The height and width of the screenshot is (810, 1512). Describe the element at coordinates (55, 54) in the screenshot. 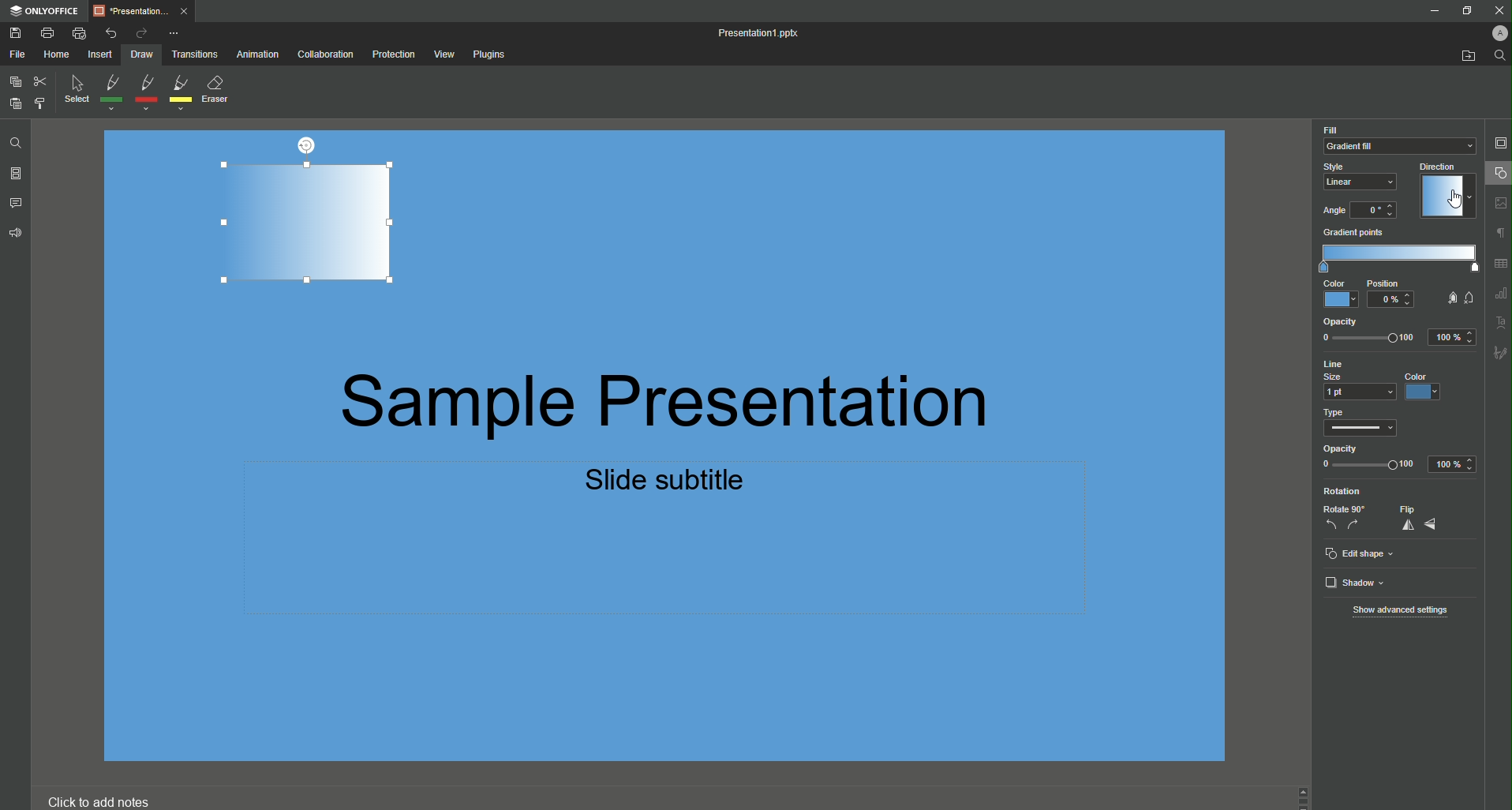

I see `Home` at that location.